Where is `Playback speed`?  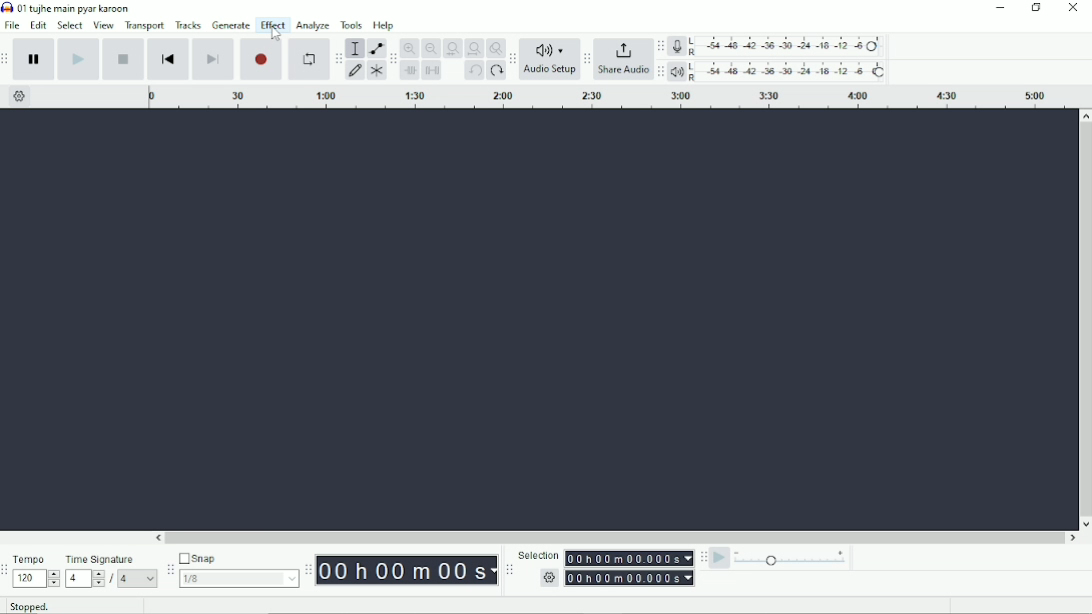
Playback speed is located at coordinates (796, 560).